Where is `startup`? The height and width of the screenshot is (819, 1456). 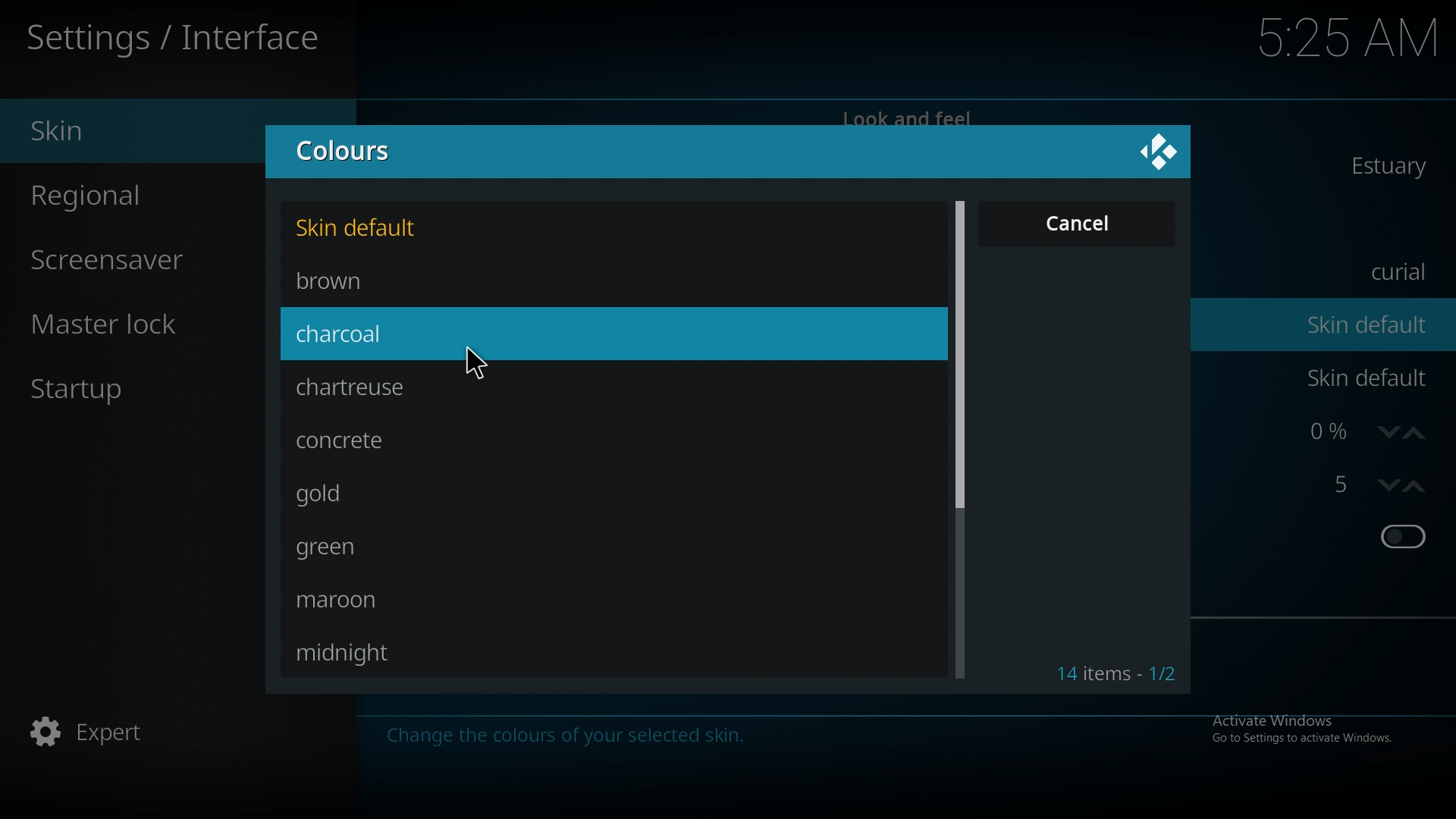
startup is located at coordinates (110, 394).